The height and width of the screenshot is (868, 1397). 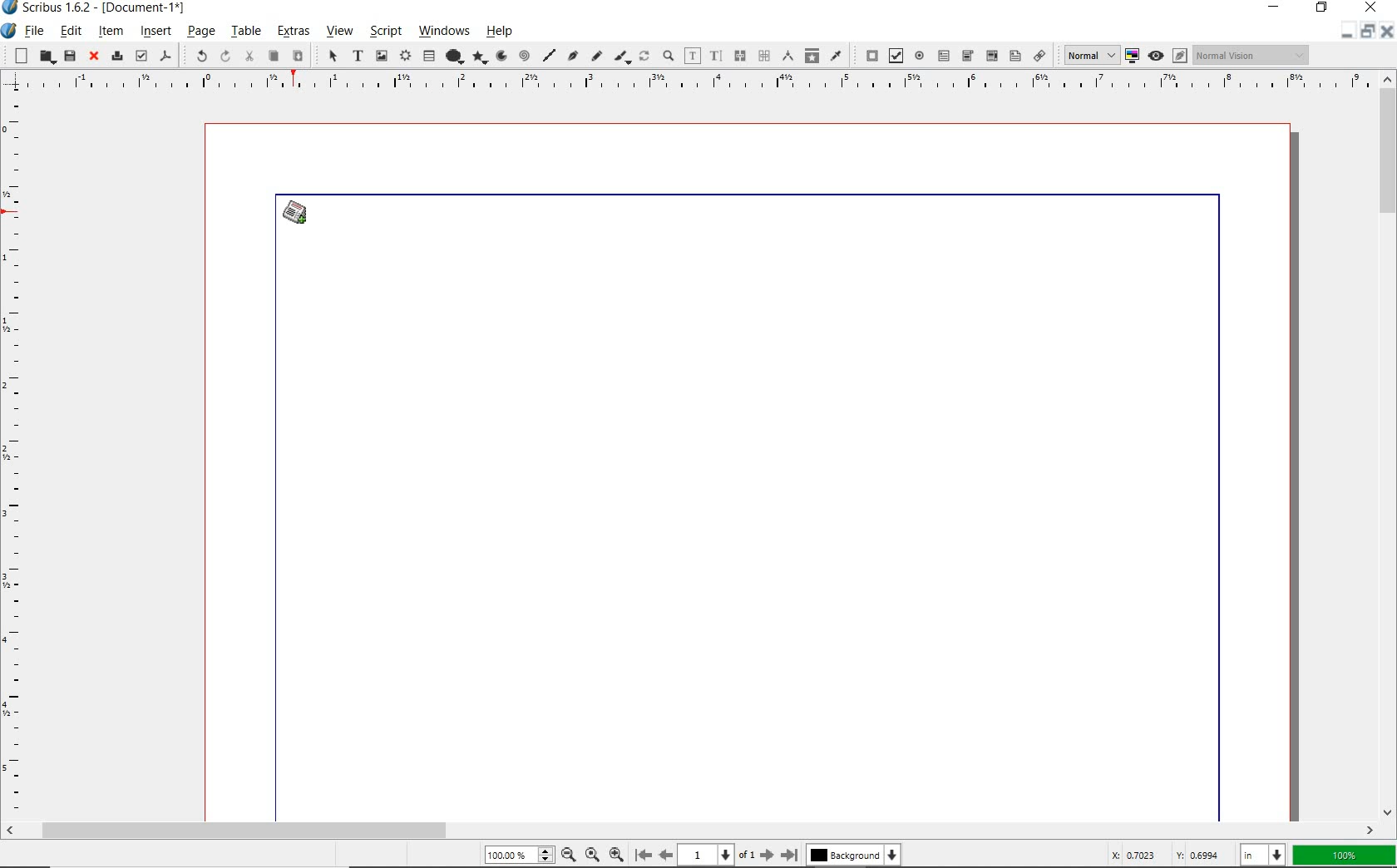 I want to click on Last Page, so click(x=790, y=855).